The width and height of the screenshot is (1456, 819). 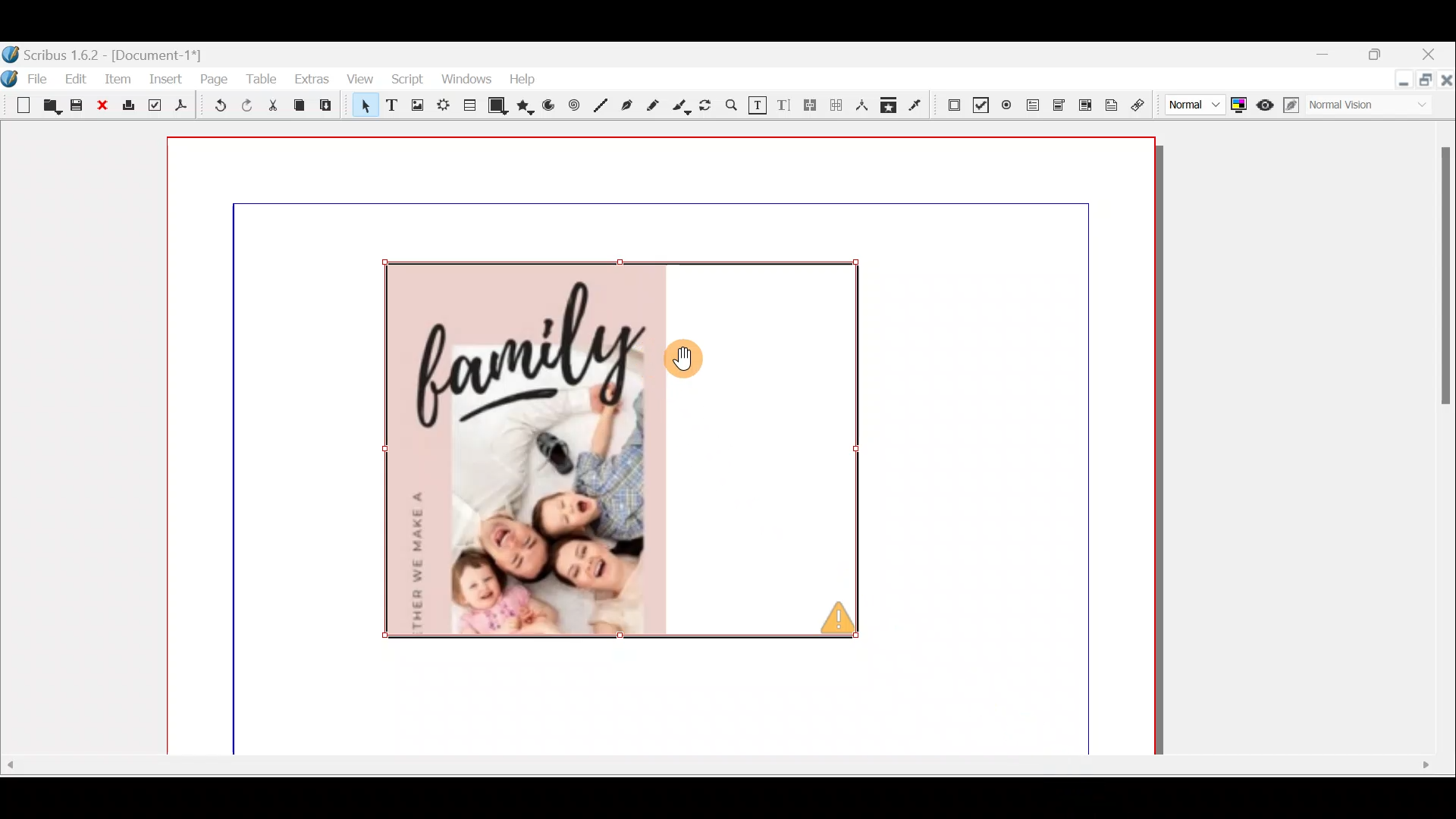 What do you see at coordinates (391, 106) in the screenshot?
I see `Text frame` at bounding box center [391, 106].